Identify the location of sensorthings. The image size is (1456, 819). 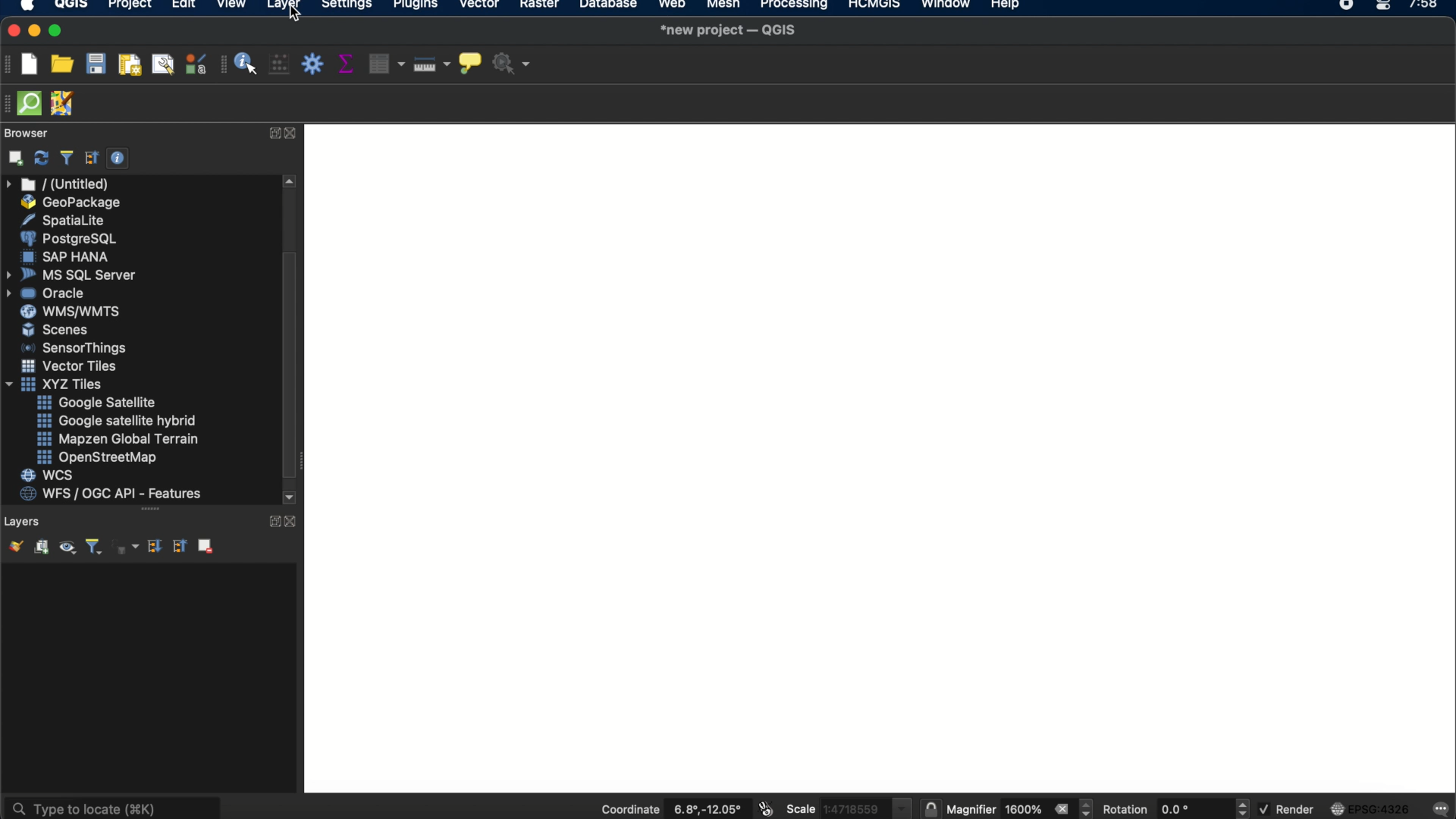
(74, 348).